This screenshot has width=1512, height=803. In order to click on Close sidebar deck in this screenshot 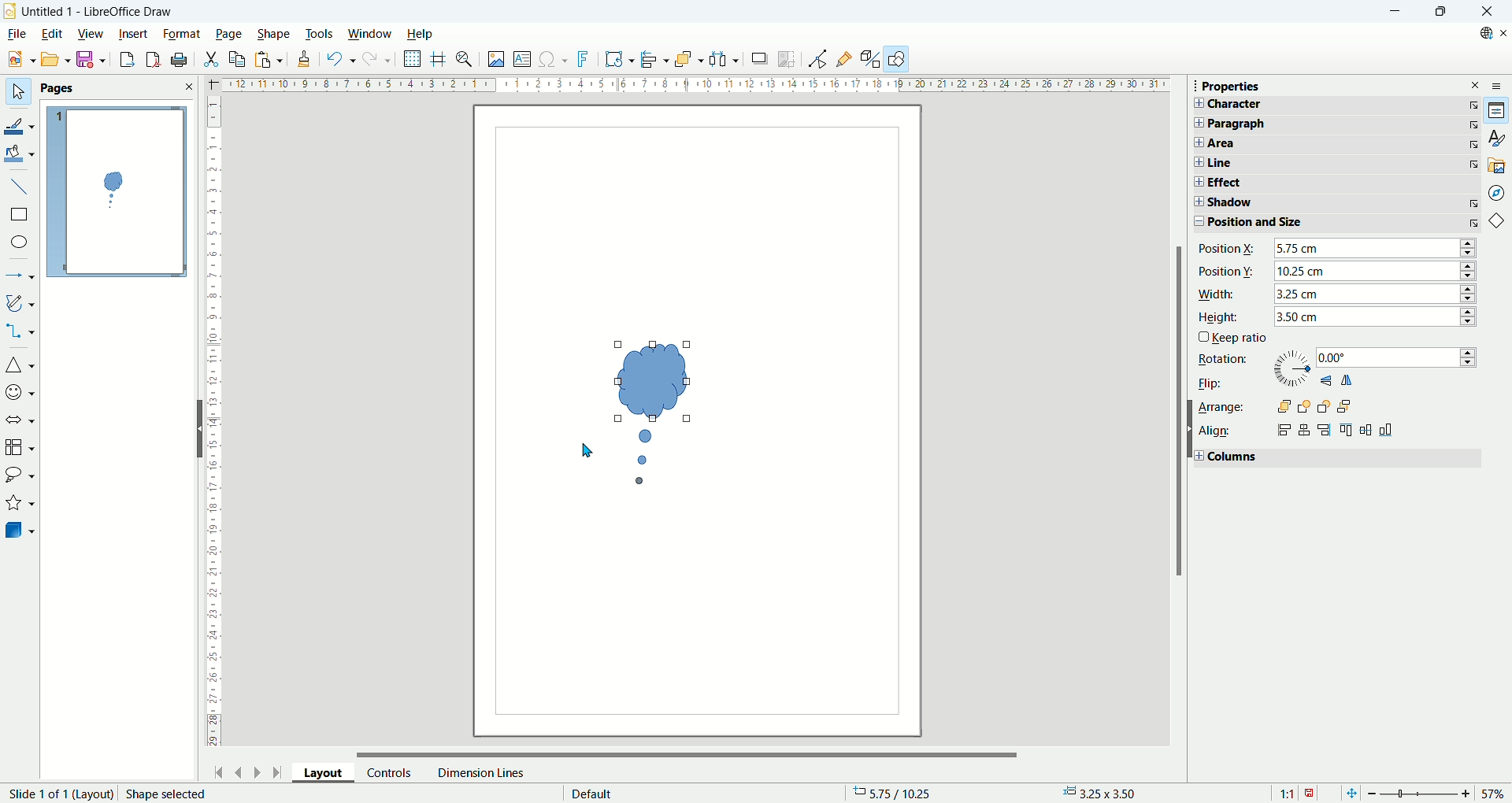, I will do `click(1476, 84)`.